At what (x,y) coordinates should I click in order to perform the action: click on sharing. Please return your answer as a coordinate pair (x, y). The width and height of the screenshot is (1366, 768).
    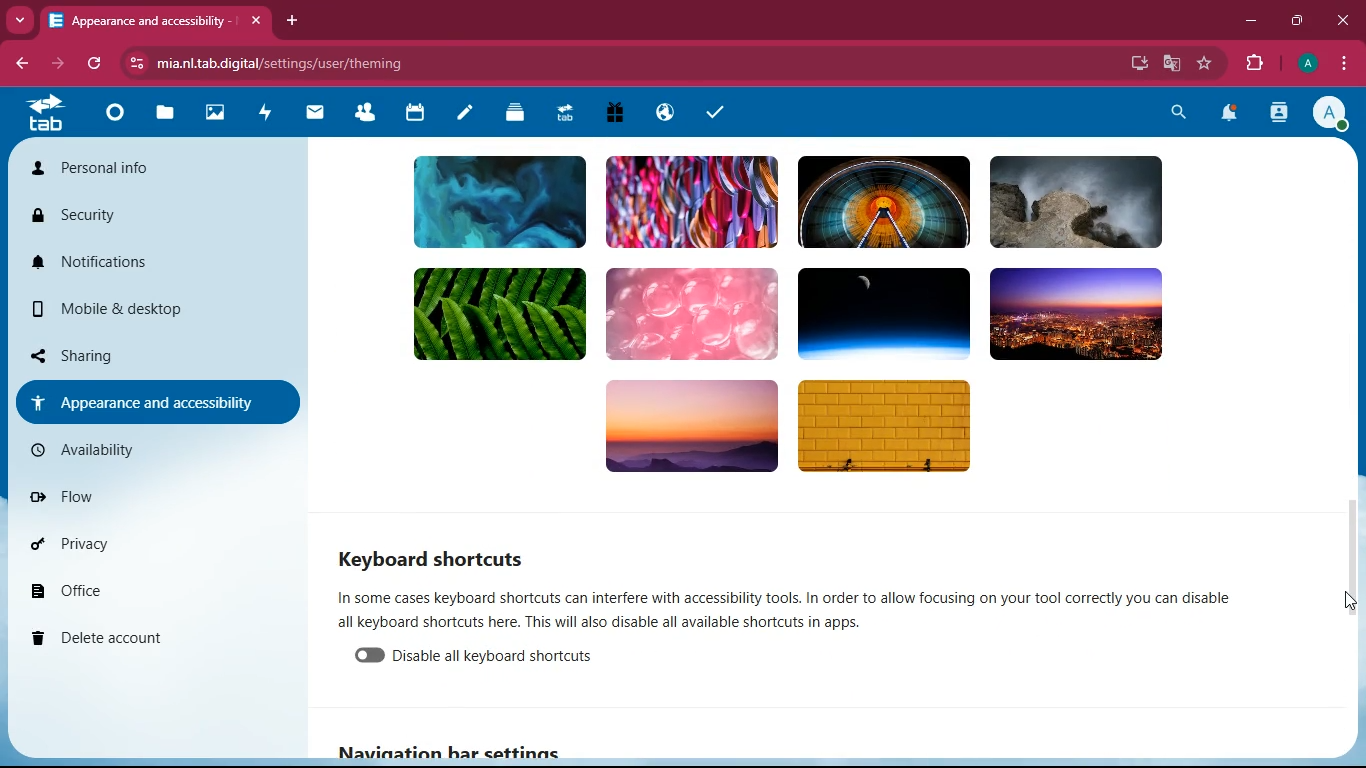
    Looking at the image, I should click on (125, 353).